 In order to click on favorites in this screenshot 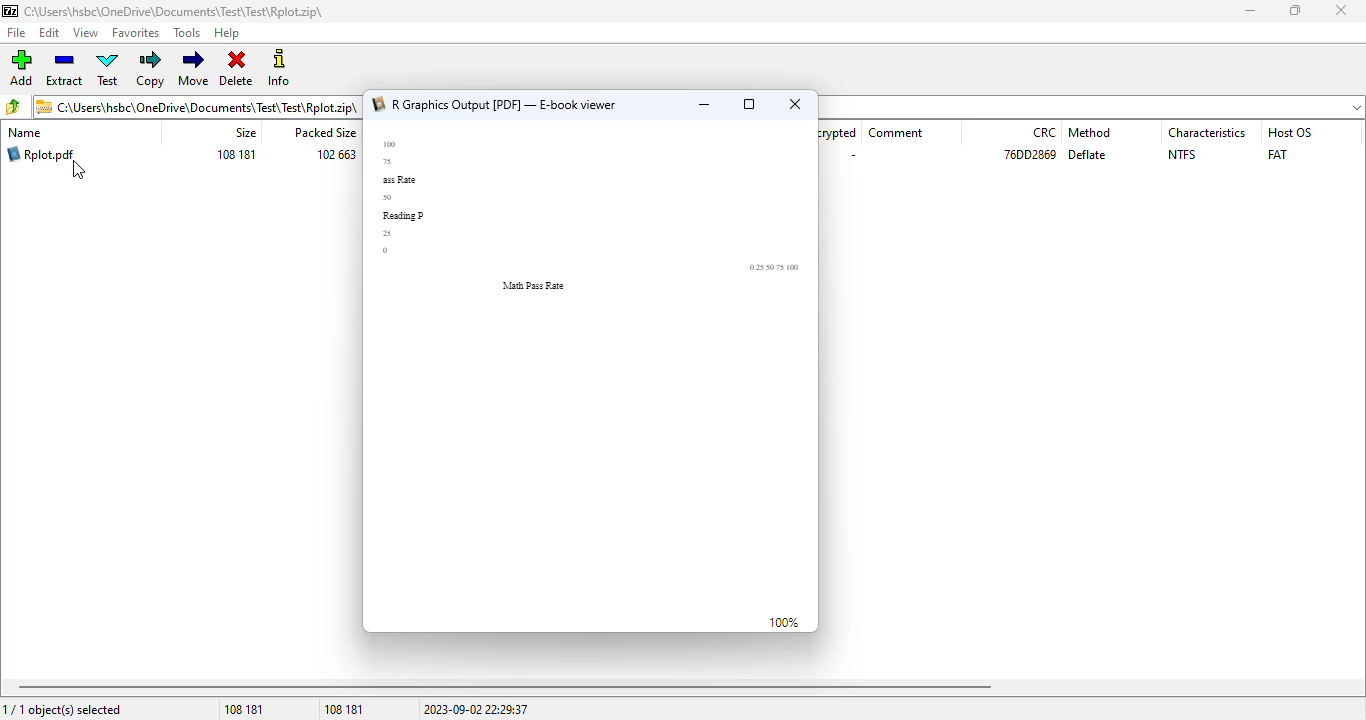, I will do `click(137, 33)`.